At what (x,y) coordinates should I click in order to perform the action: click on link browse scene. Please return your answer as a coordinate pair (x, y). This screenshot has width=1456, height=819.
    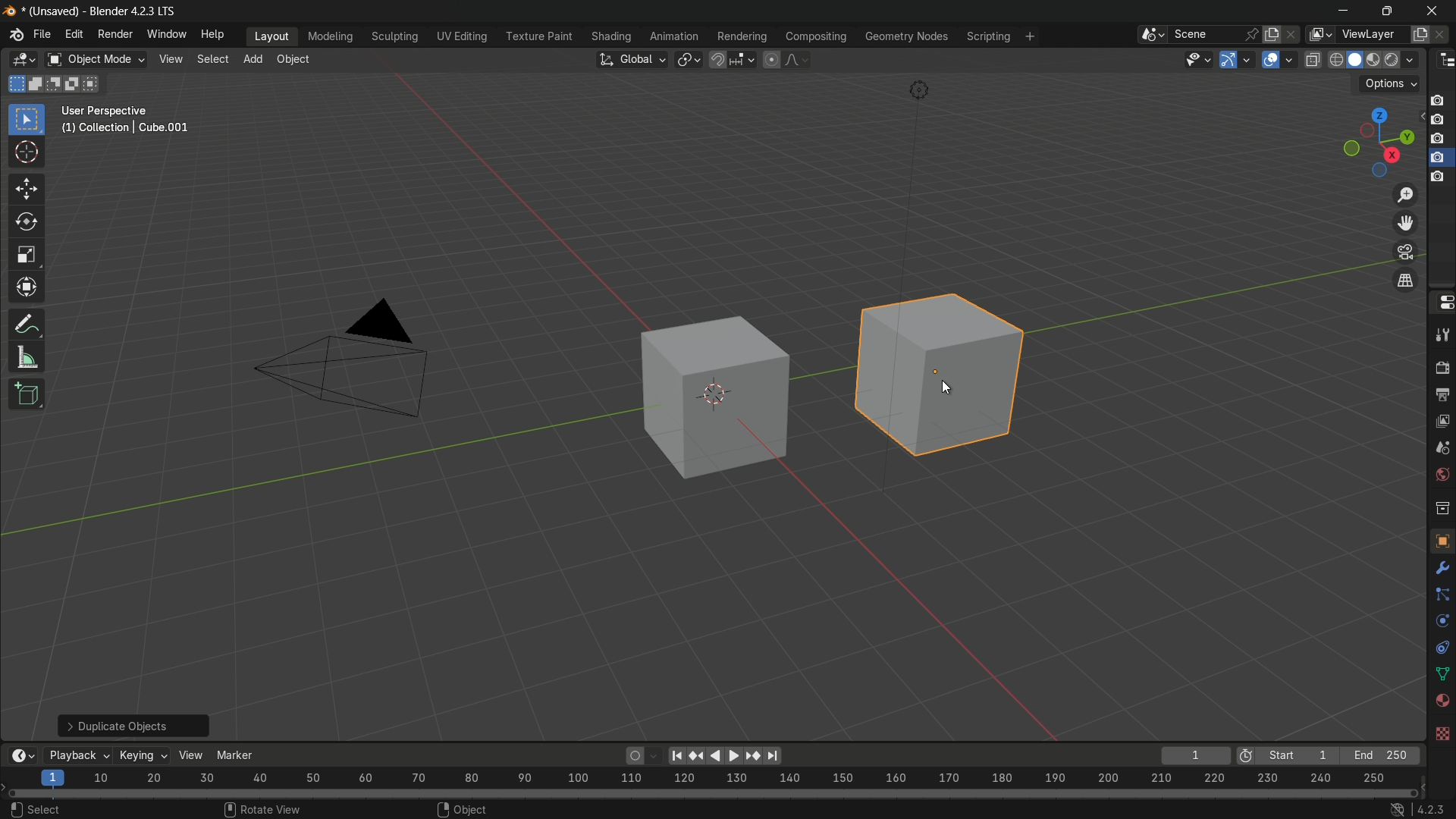
    Looking at the image, I should click on (1147, 34).